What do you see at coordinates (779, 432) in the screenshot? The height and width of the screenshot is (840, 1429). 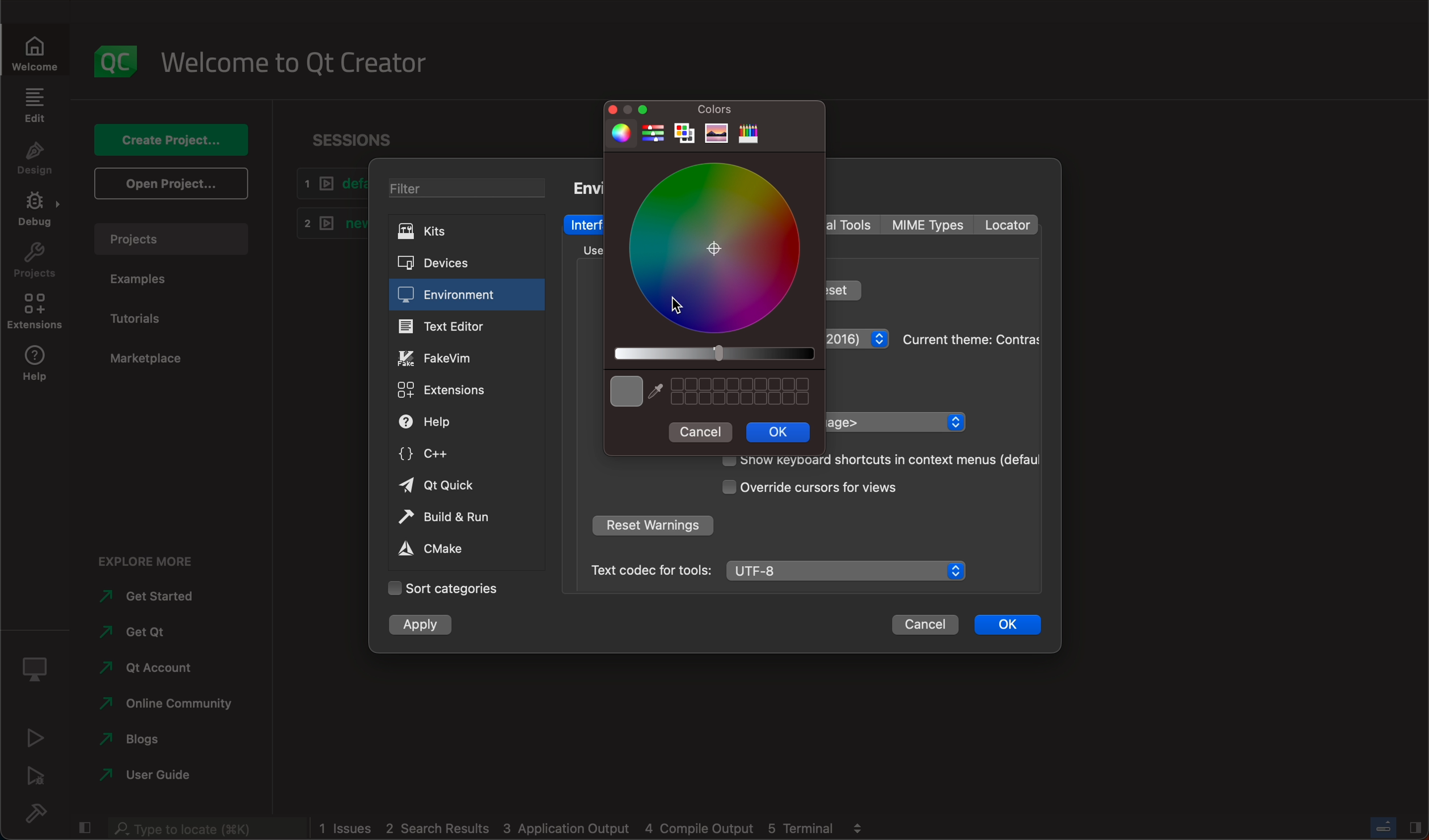 I see `ok` at bounding box center [779, 432].